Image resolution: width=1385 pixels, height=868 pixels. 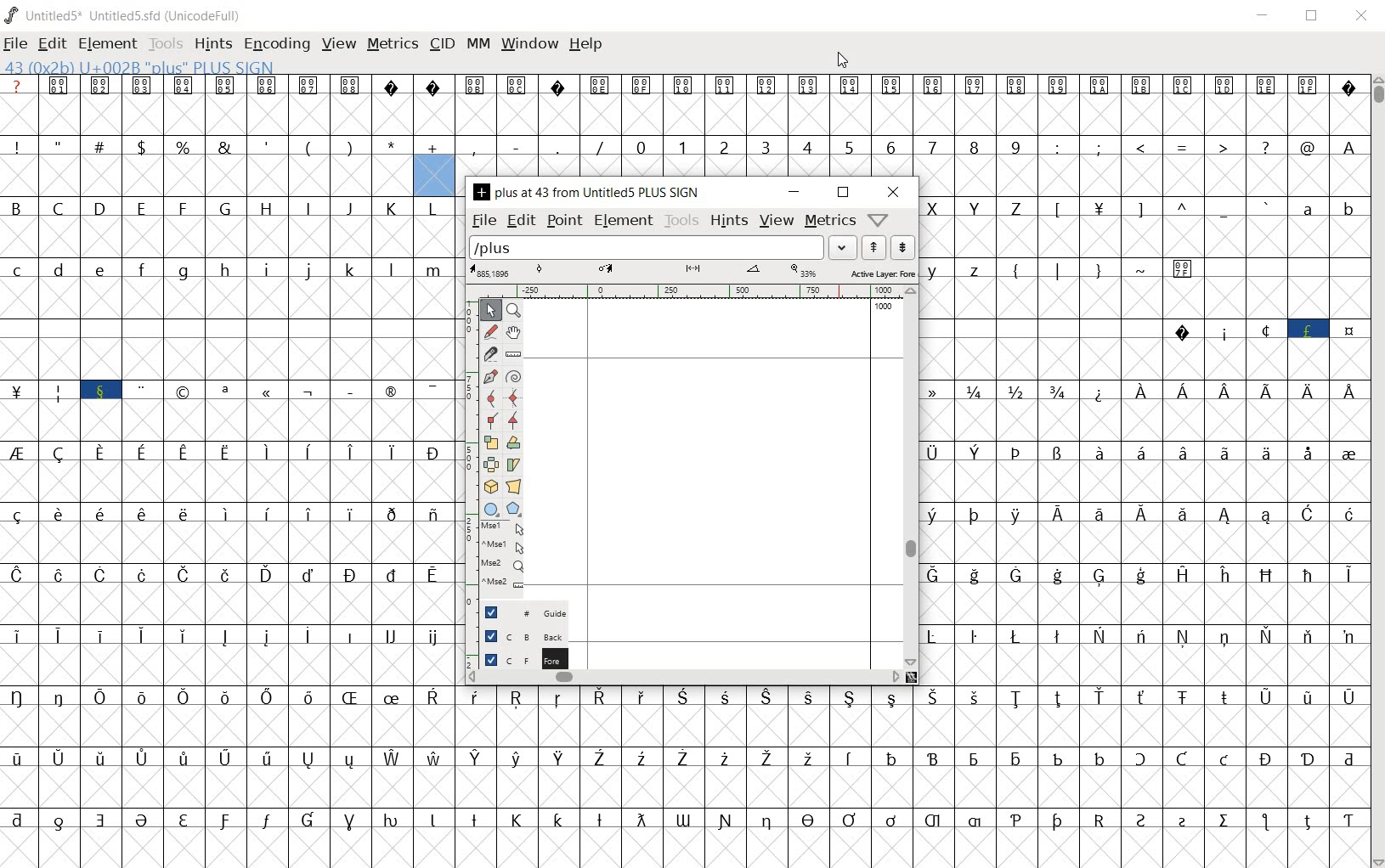 What do you see at coordinates (228, 473) in the screenshot?
I see `` at bounding box center [228, 473].